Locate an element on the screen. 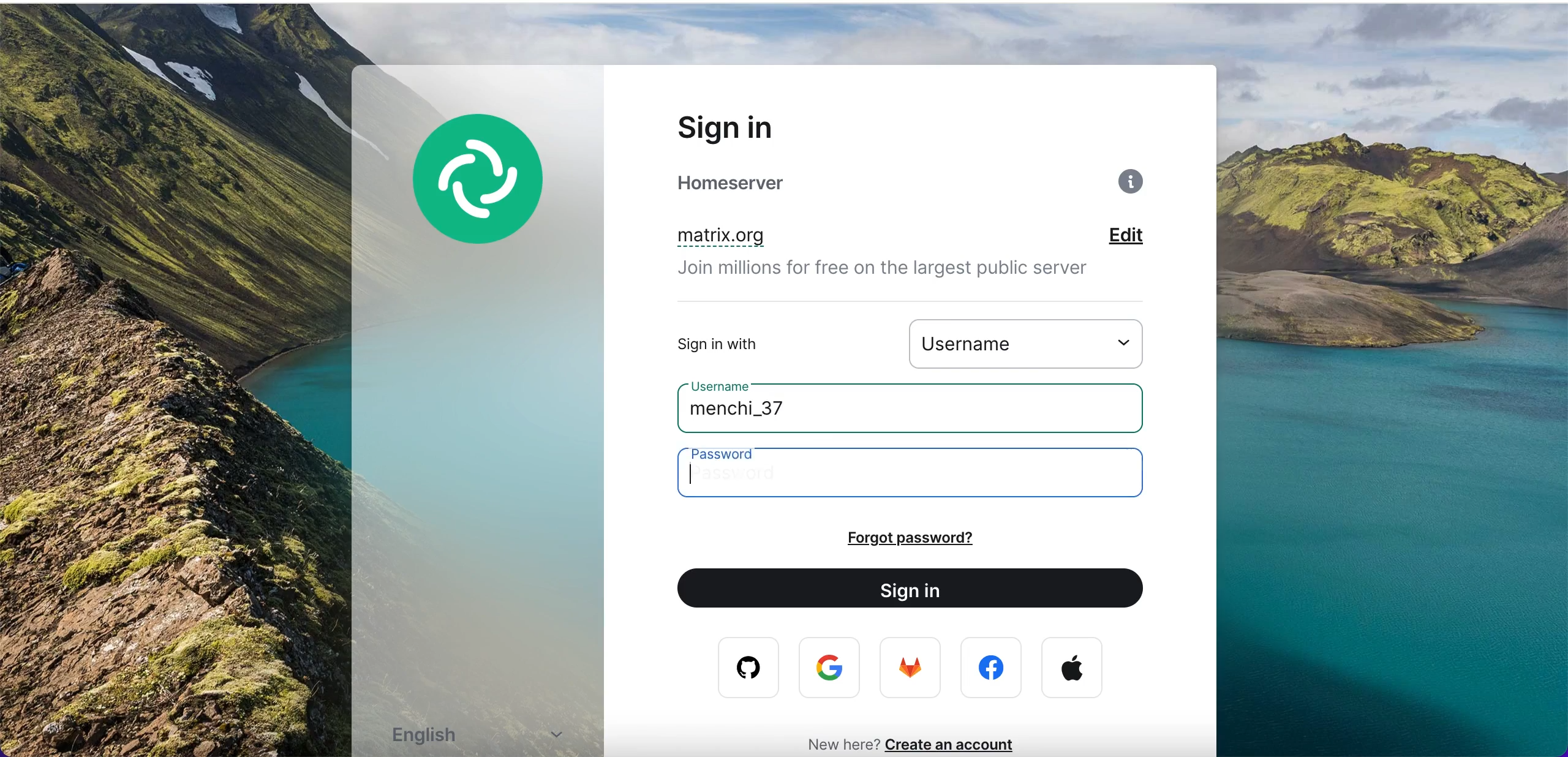 The height and width of the screenshot is (757, 1568). apple logo is located at coordinates (1072, 668).